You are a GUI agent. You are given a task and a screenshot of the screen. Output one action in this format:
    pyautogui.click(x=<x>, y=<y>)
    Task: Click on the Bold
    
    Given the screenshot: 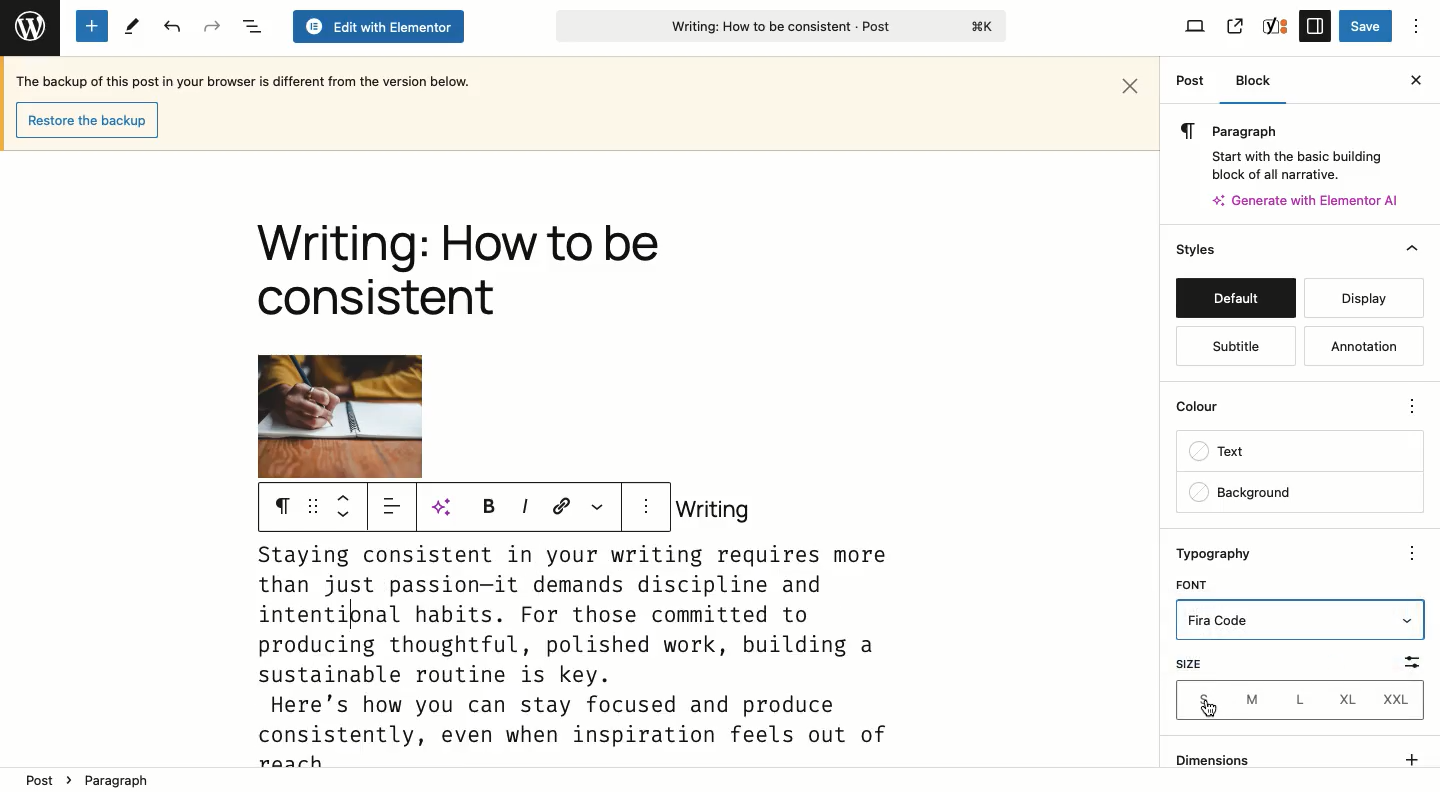 What is the action you would take?
    pyautogui.click(x=486, y=505)
    